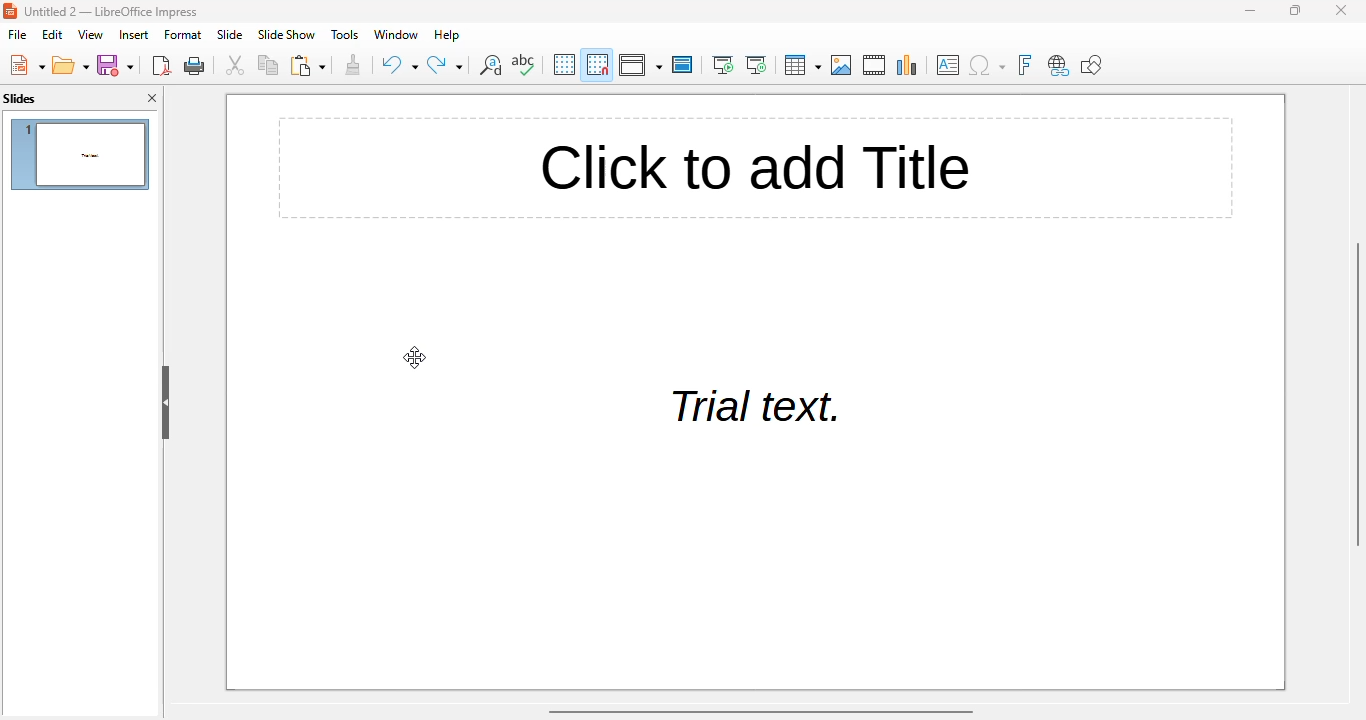  Describe the element at coordinates (908, 65) in the screenshot. I see `insert chart` at that location.